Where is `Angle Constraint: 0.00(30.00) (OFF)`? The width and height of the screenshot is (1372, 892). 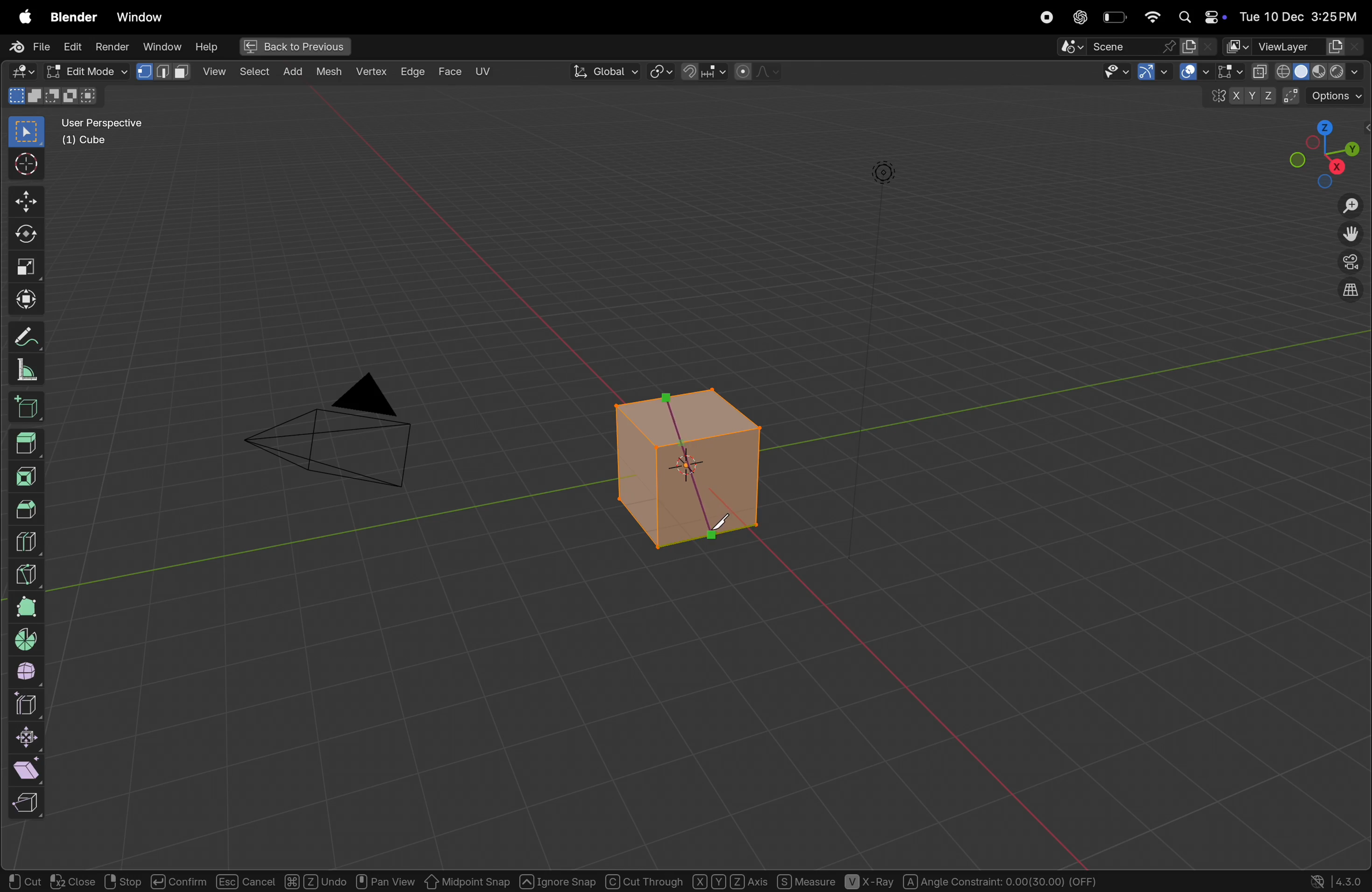
Angle Constraint: 0.00(30.00) (OFF) is located at coordinates (1000, 880).